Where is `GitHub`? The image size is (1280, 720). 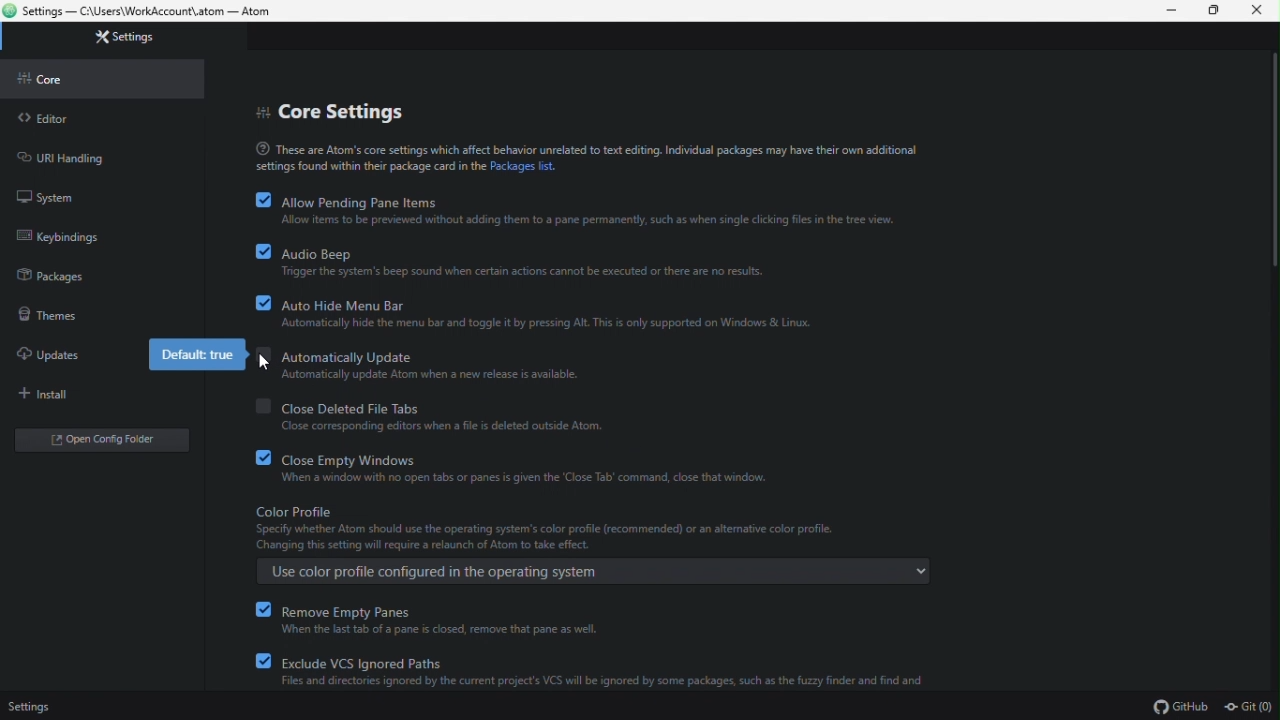 GitHub is located at coordinates (1180, 707).